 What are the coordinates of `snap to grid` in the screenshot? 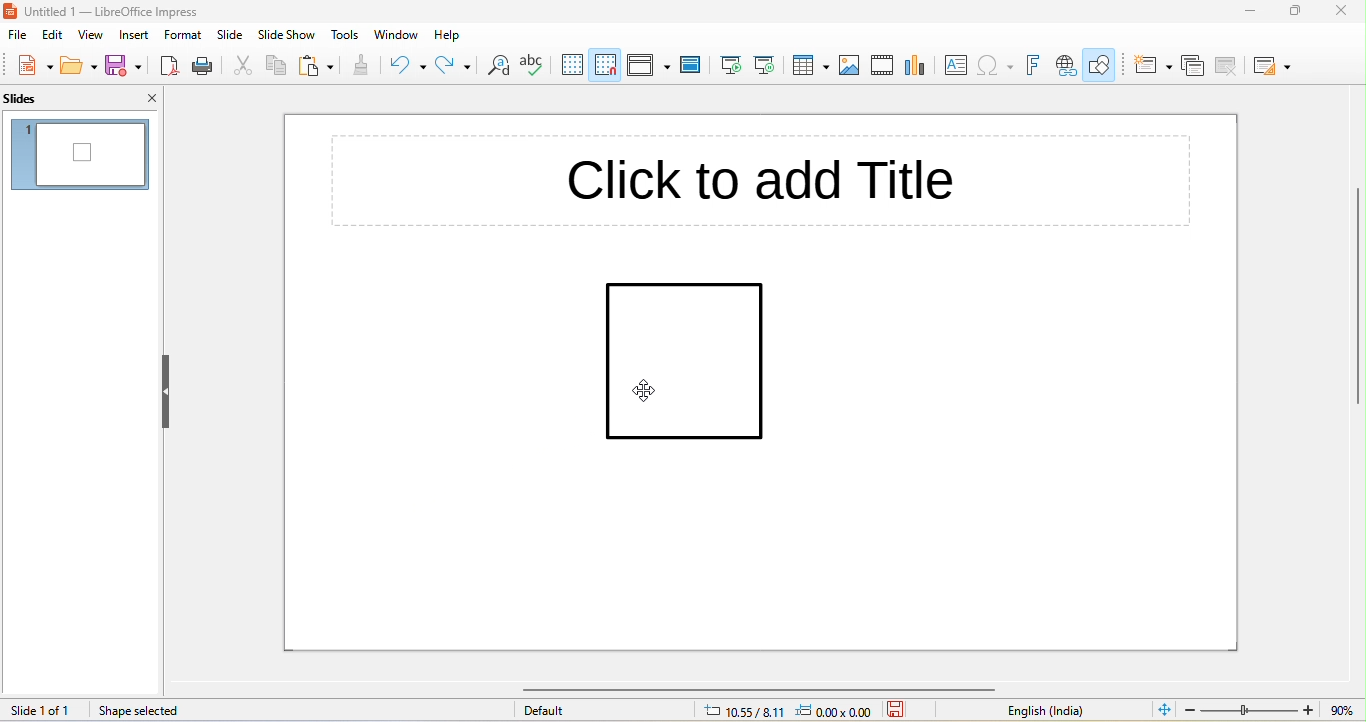 It's located at (604, 65).